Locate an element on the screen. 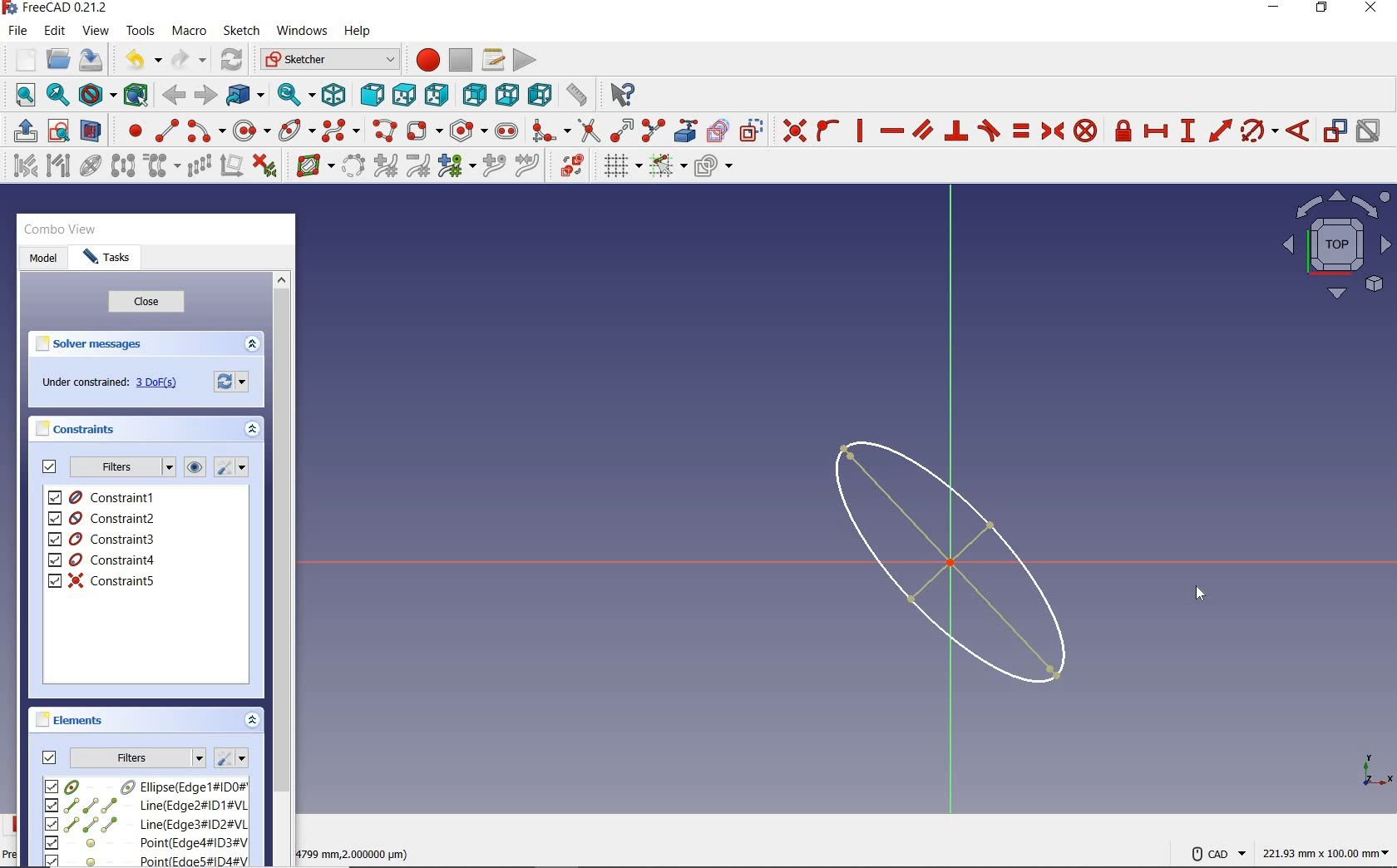 The height and width of the screenshot is (868, 1397). element4 is located at coordinates (146, 842).